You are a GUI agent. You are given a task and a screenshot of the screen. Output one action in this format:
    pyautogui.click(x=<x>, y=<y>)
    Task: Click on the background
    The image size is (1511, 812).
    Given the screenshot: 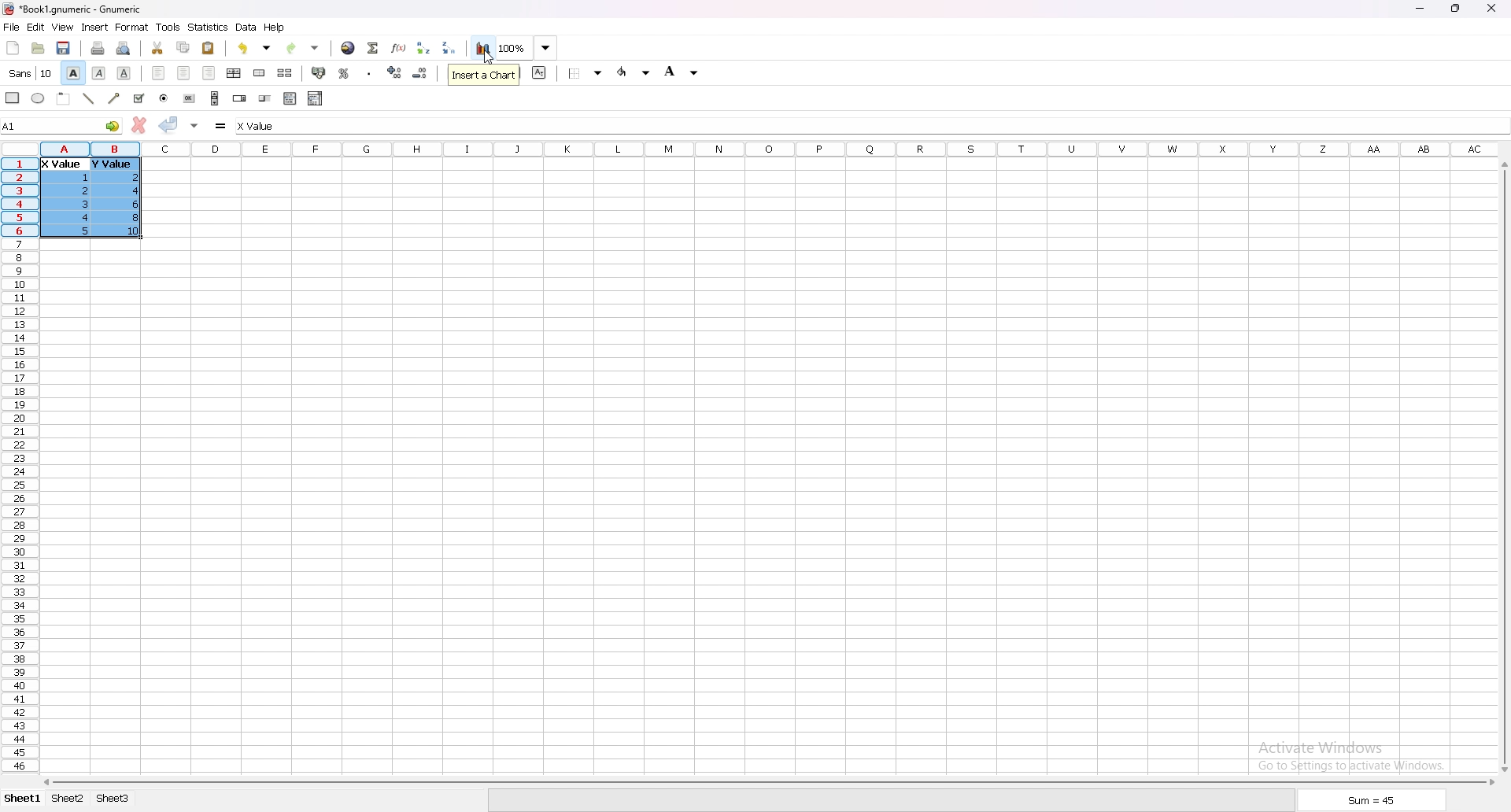 What is the action you would take?
    pyautogui.click(x=682, y=71)
    